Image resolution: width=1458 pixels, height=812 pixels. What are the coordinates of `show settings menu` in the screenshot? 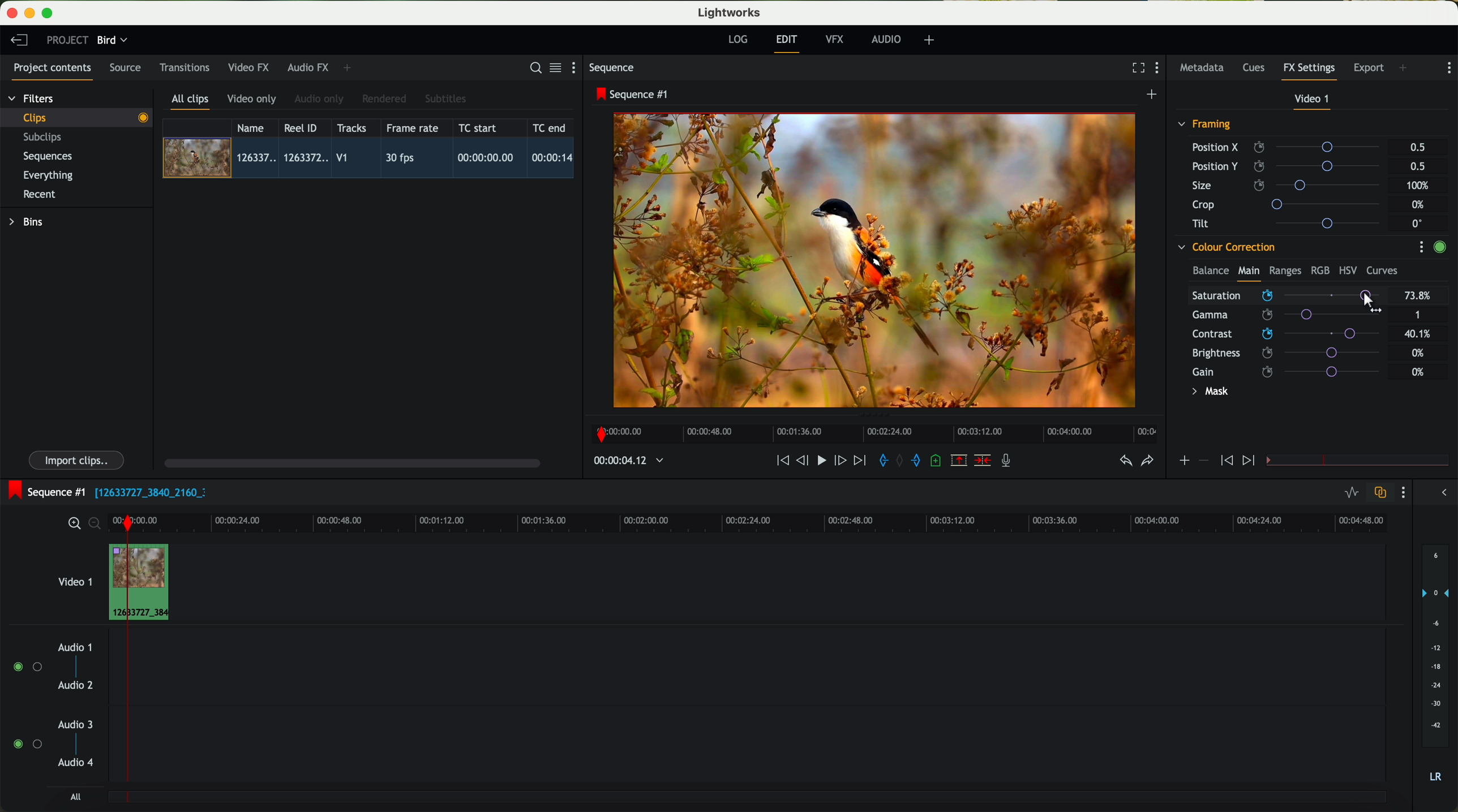 It's located at (1421, 247).